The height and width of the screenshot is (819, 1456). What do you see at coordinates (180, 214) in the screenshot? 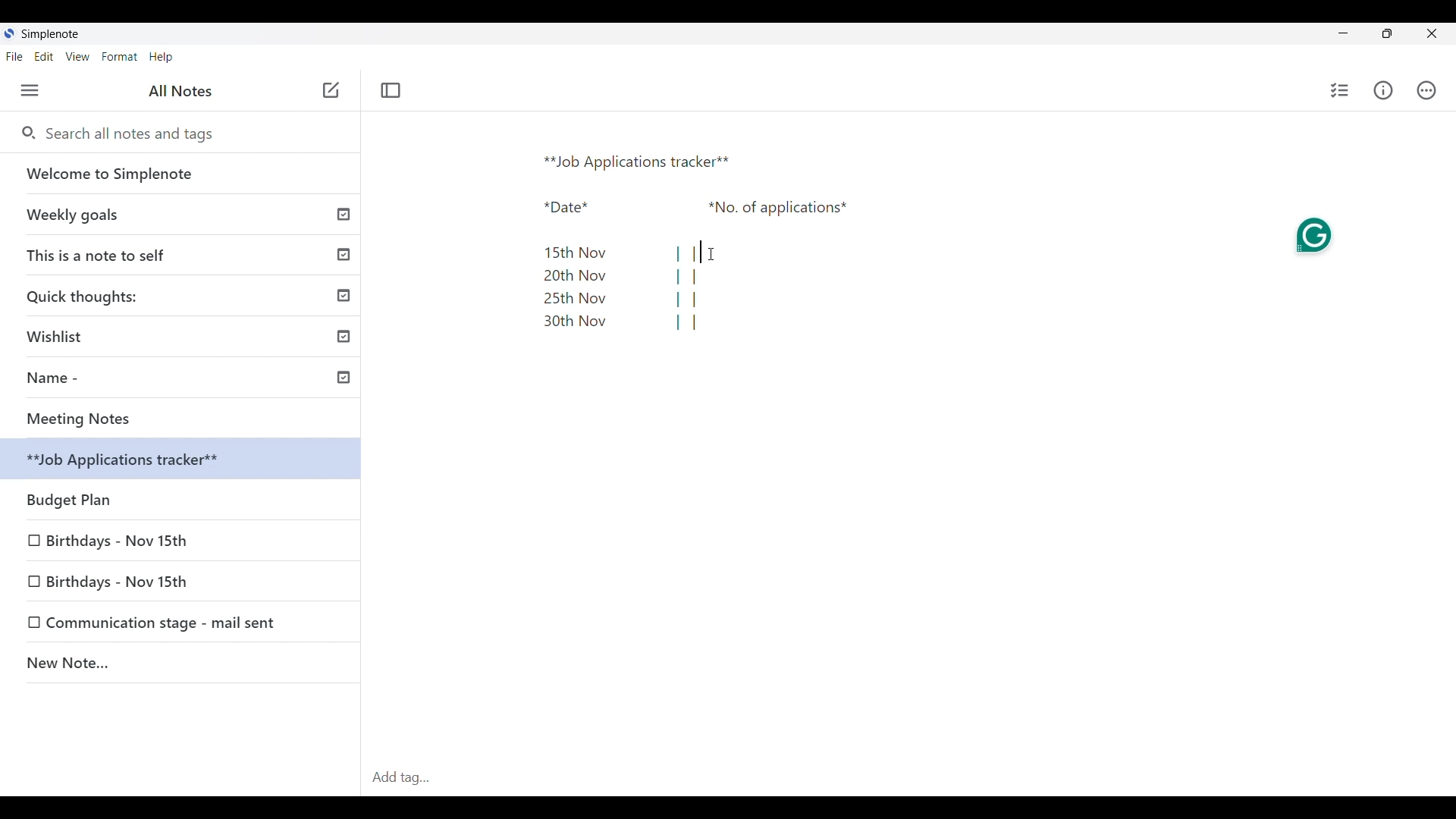
I see `Weekly goals` at bounding box center [180, 214].